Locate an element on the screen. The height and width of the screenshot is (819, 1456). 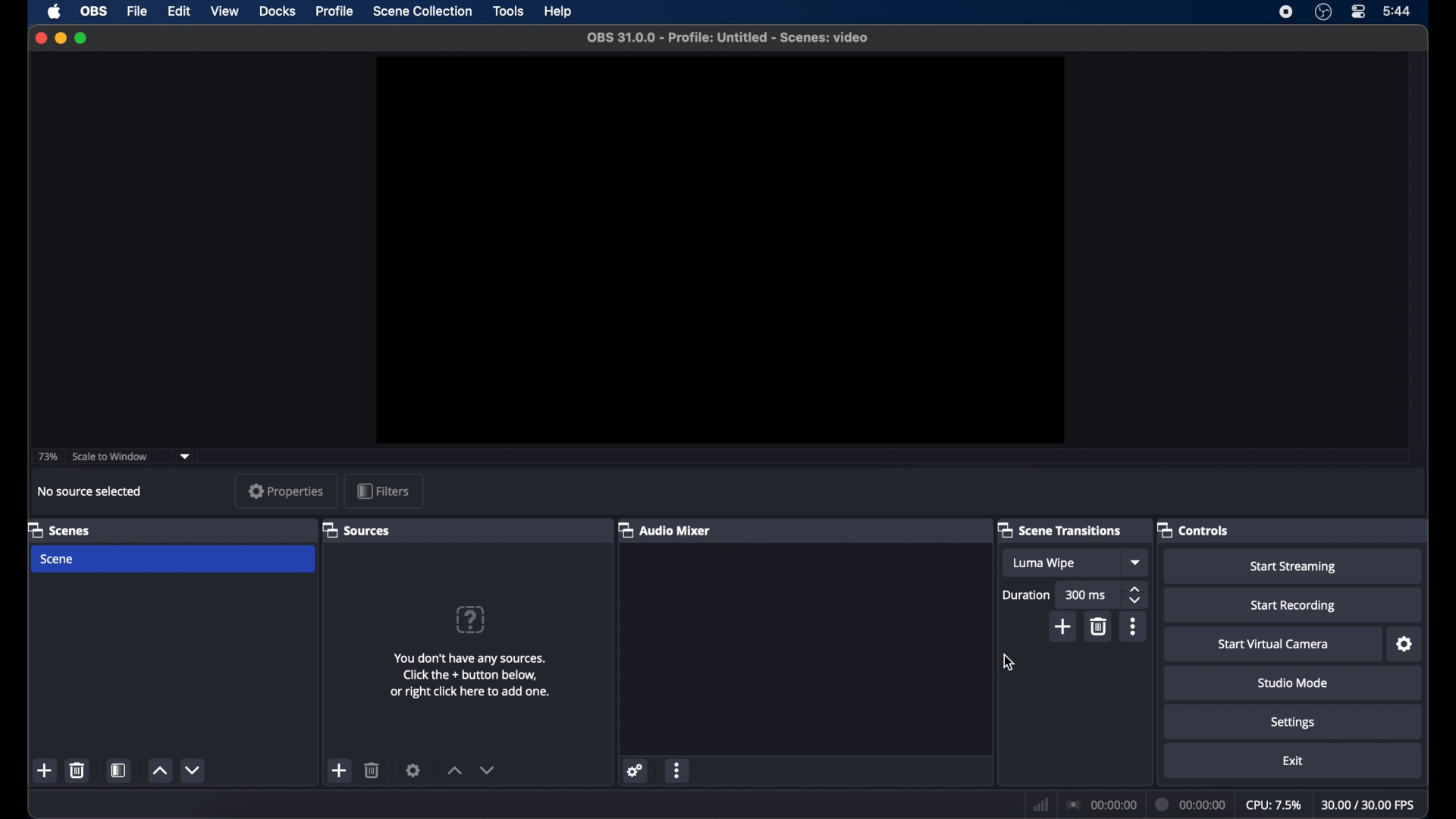
decrement is located at coordinates (490, 770).